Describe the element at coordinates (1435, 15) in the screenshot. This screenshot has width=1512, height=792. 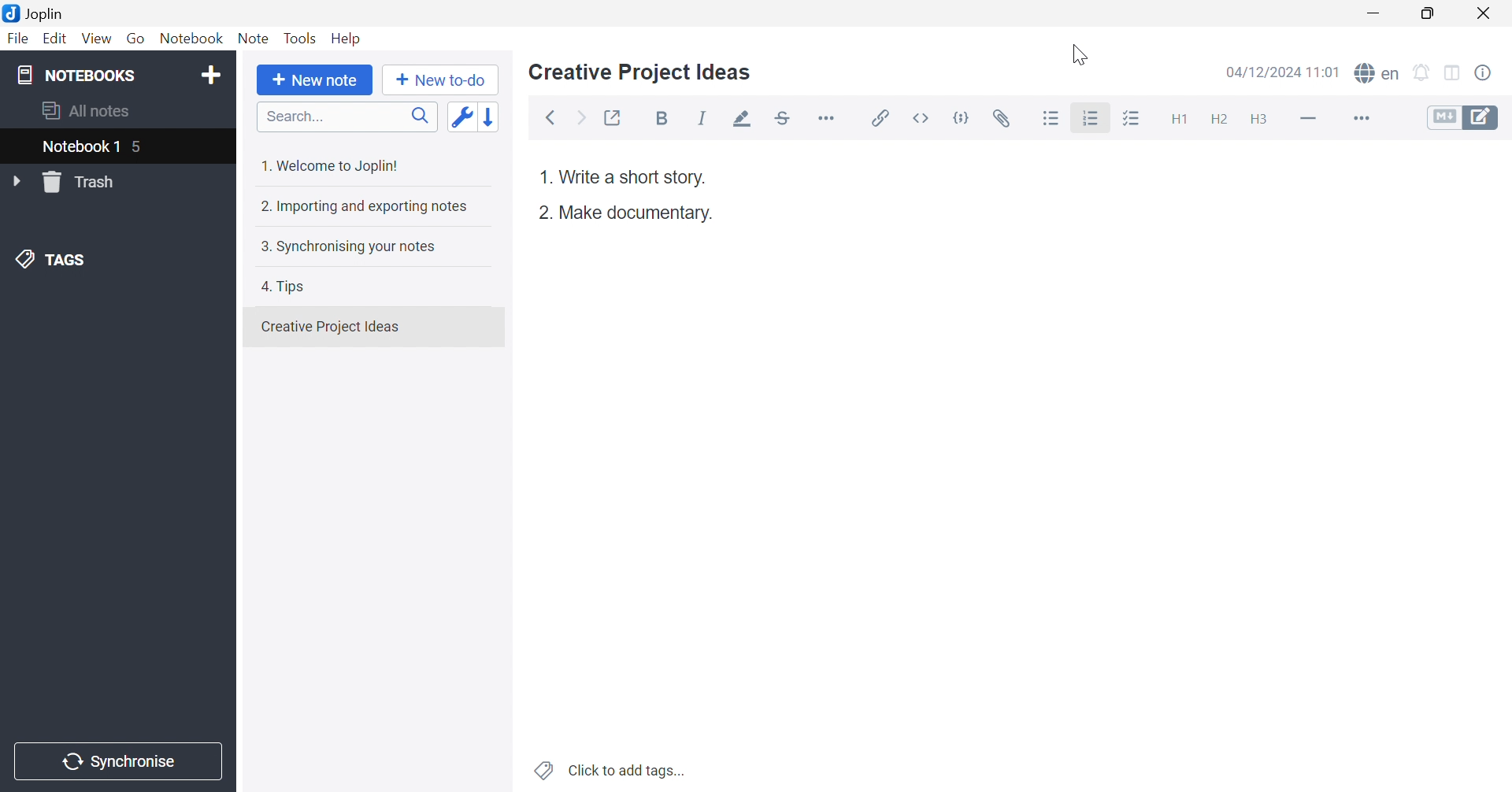
I see `Restore Down` at that location.